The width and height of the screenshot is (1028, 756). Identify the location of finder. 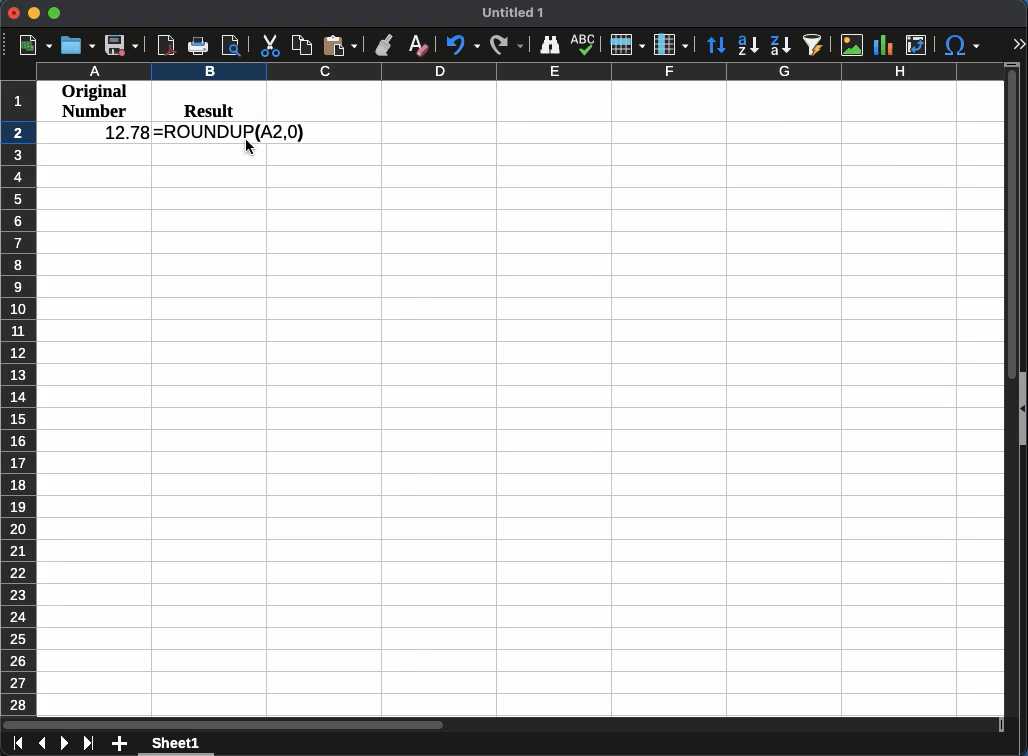
(550, 44).